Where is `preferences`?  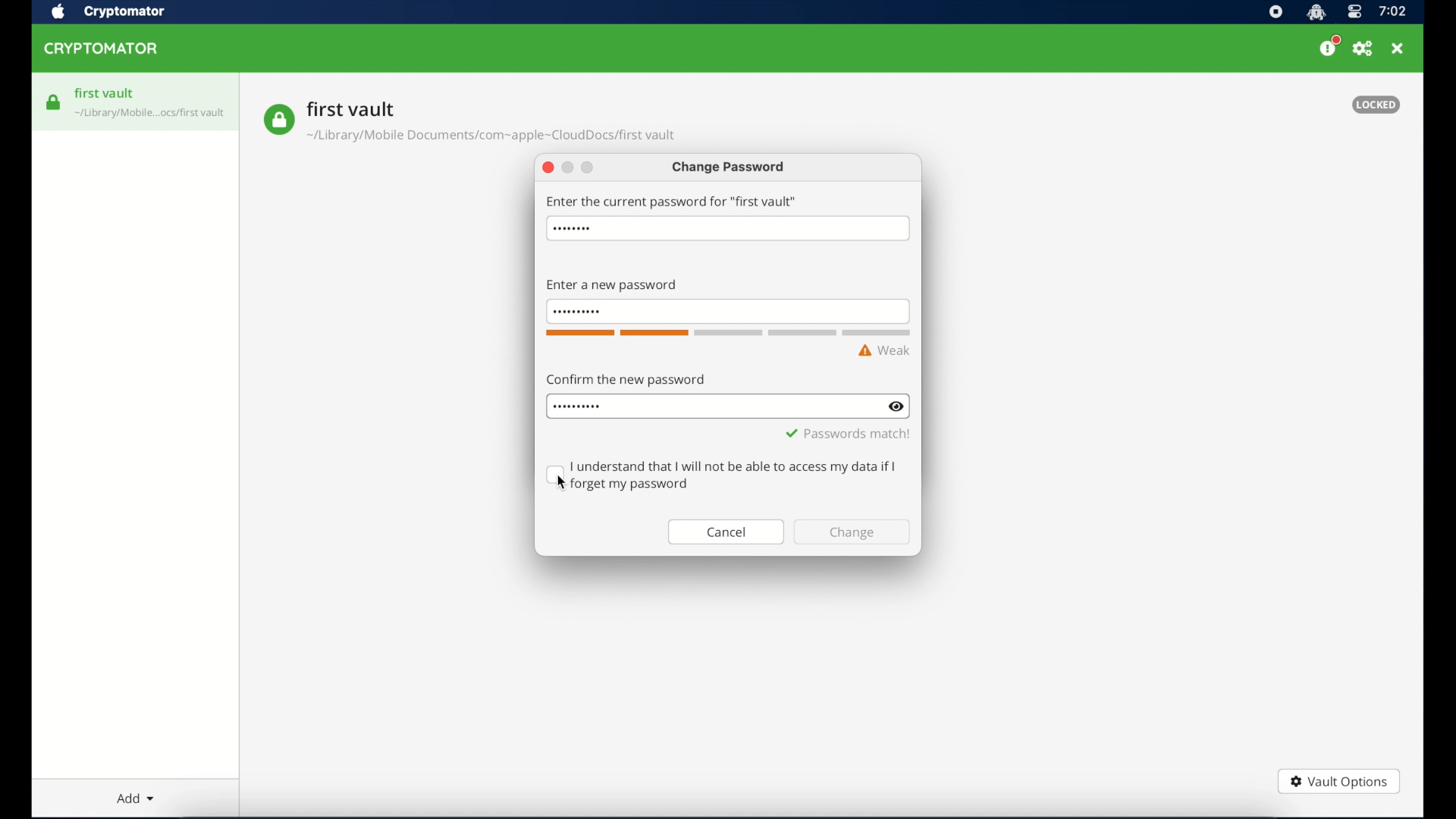
preferences is located at coordinates (1363, 49).